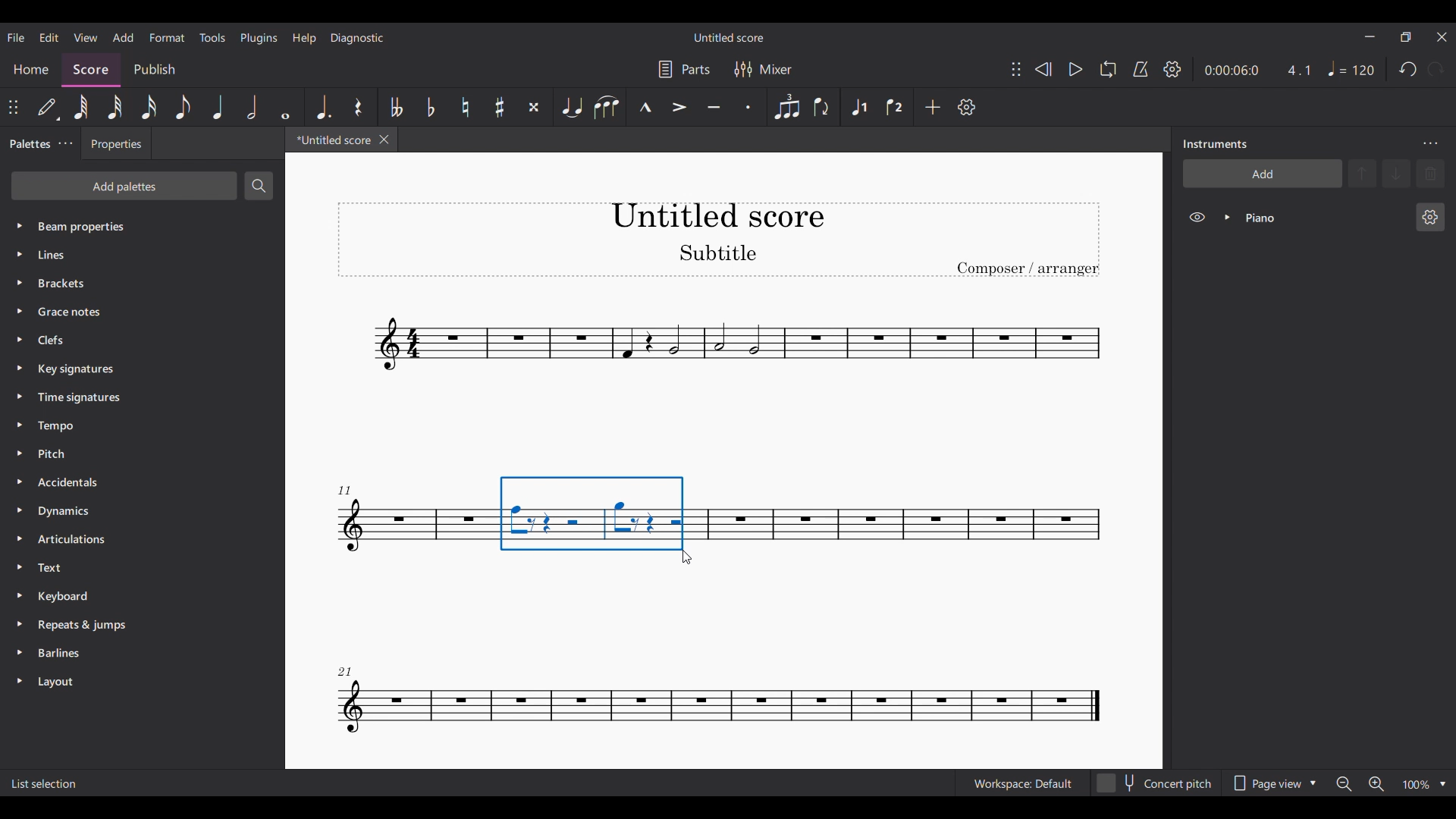  What do you see at coordinates (1430, 144) in the screenshot?
I see `Panel settings` at bounding box center [1430, 144].